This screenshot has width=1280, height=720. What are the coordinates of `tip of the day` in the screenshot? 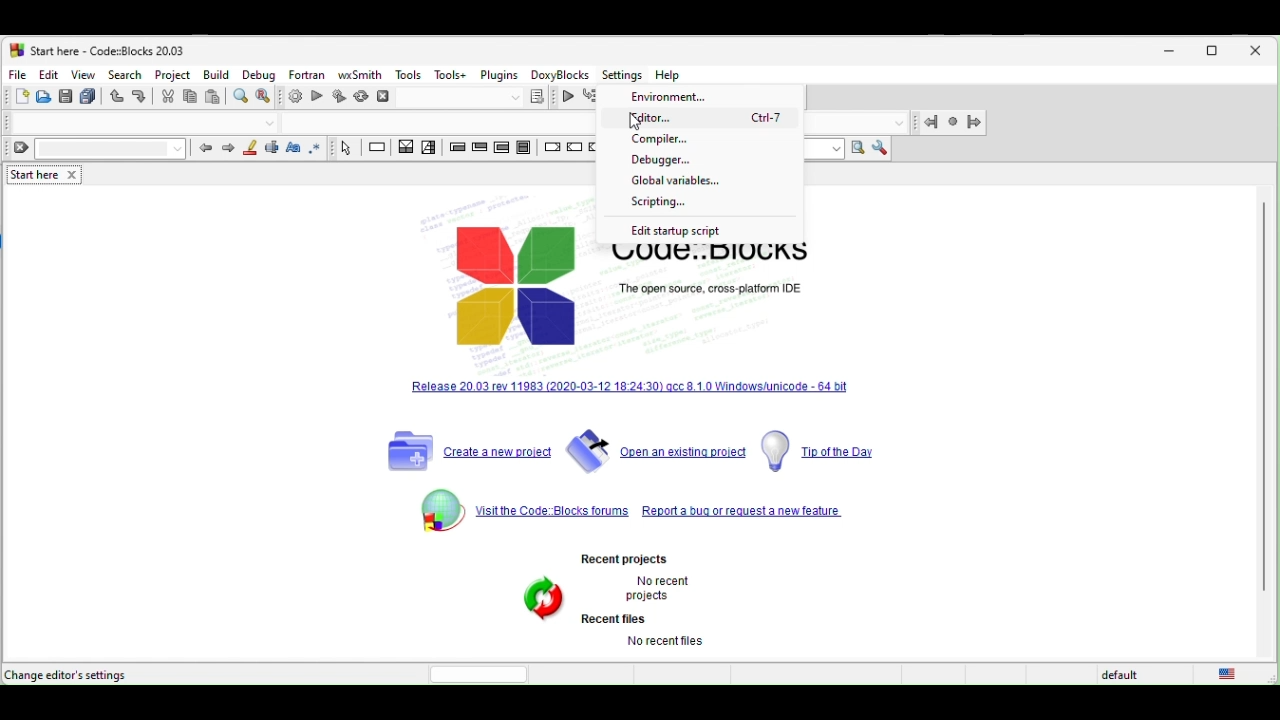 It's located at (827, 448).